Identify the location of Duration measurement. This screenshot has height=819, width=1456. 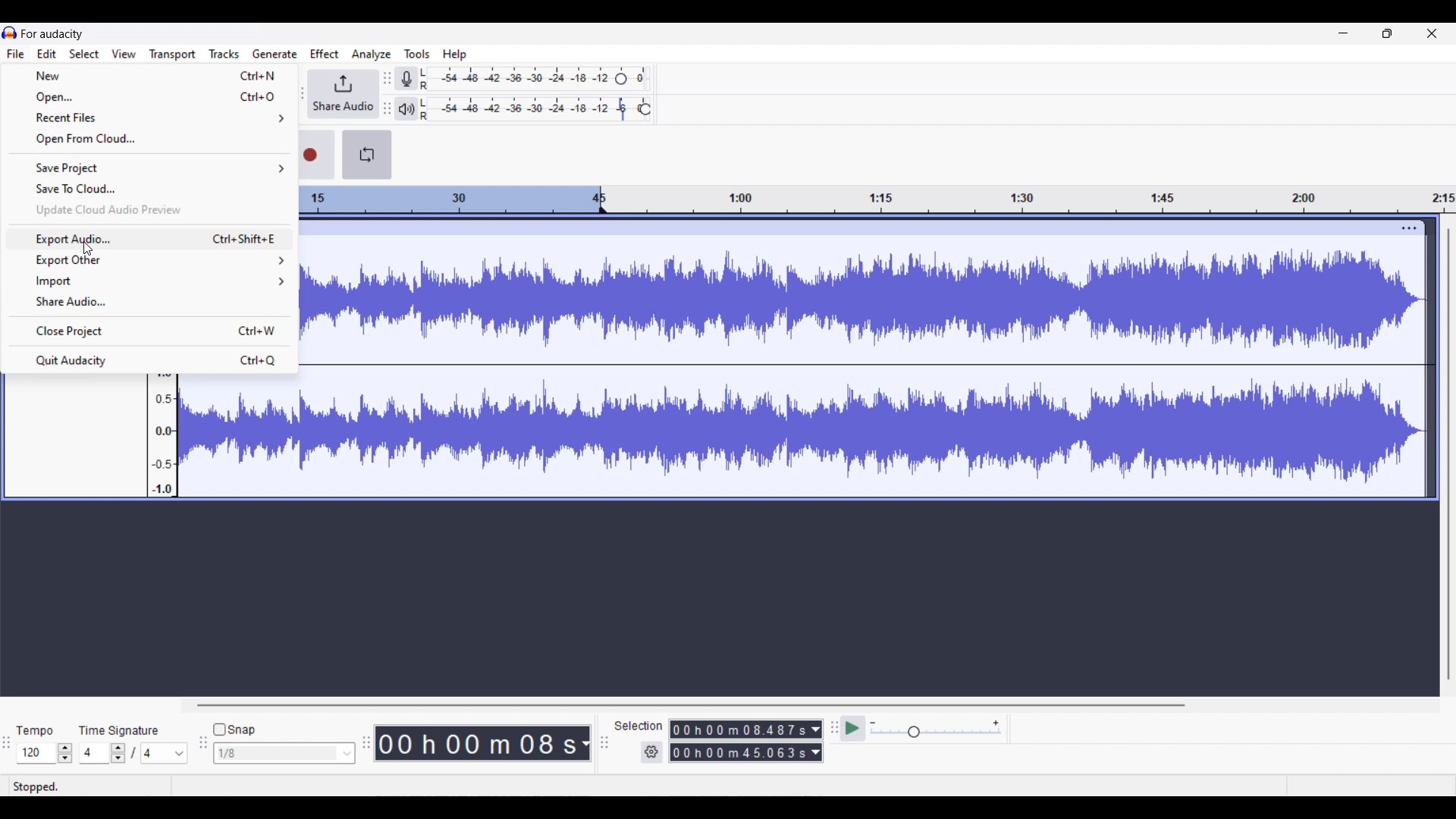
(815, 752).